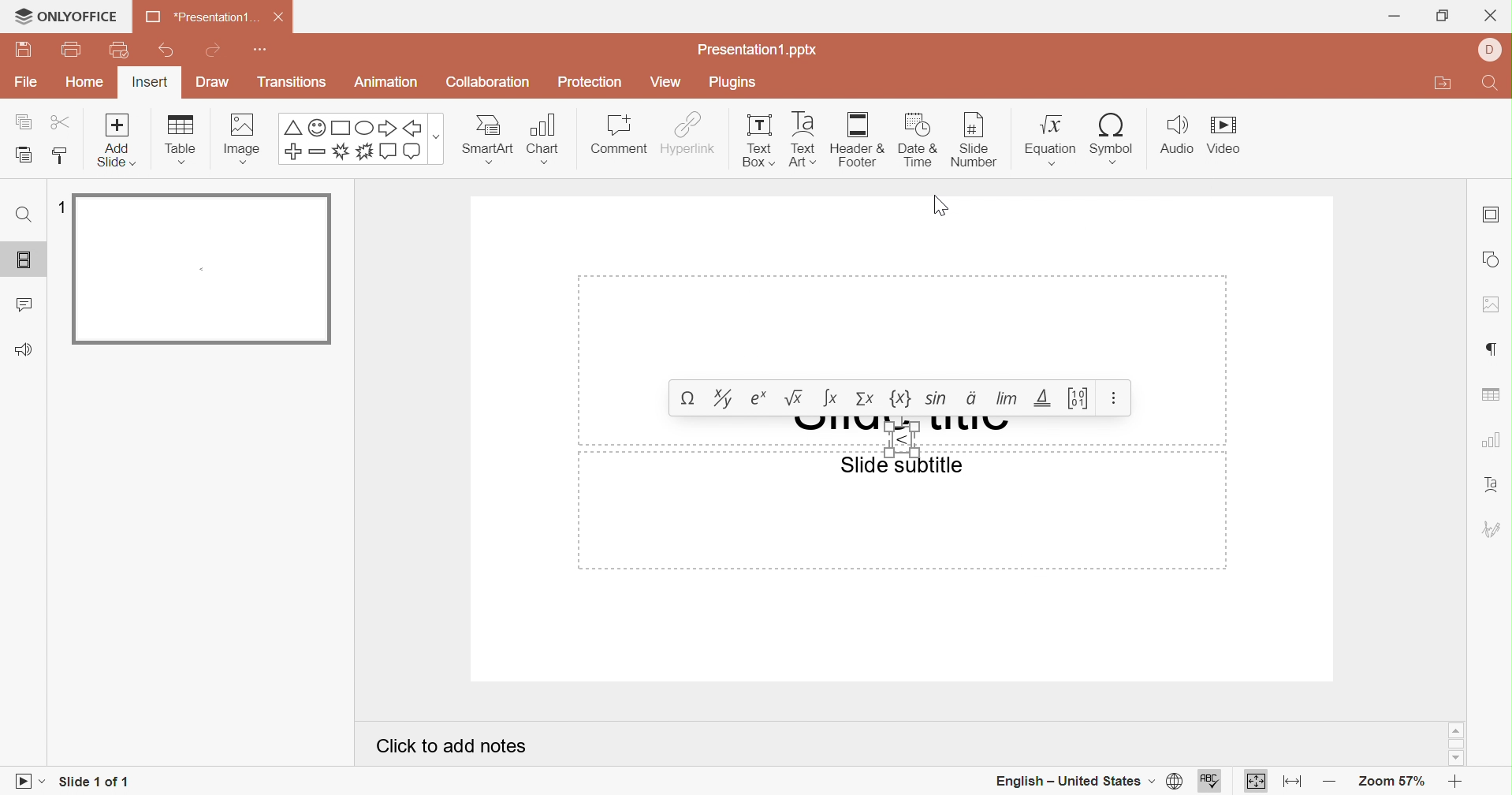 The height and width of the screenshot is (795, 1512). I want to click on Zoom out, so click(1329, 778).